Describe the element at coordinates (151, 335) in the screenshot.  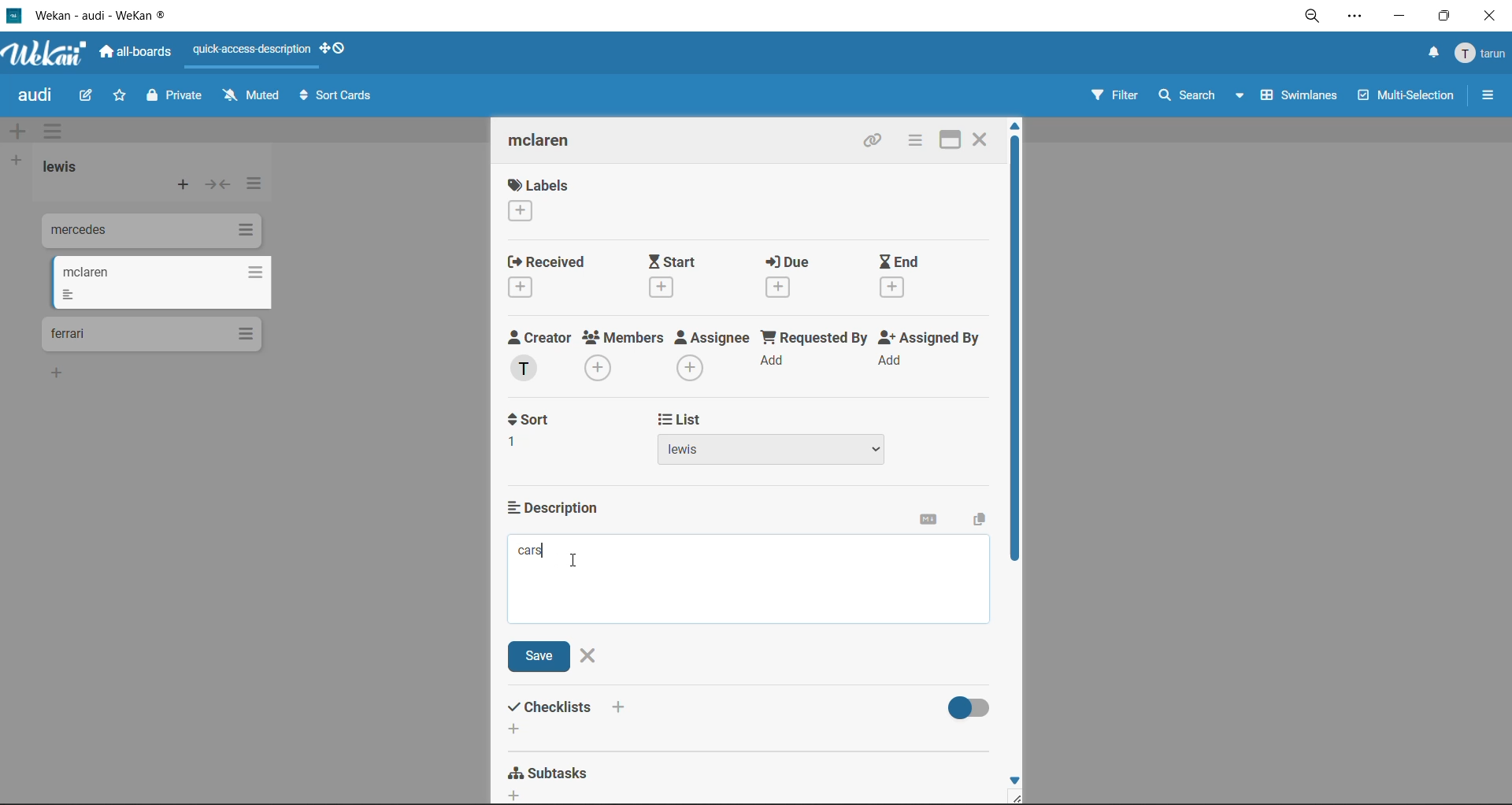
I see `cards` at that location.